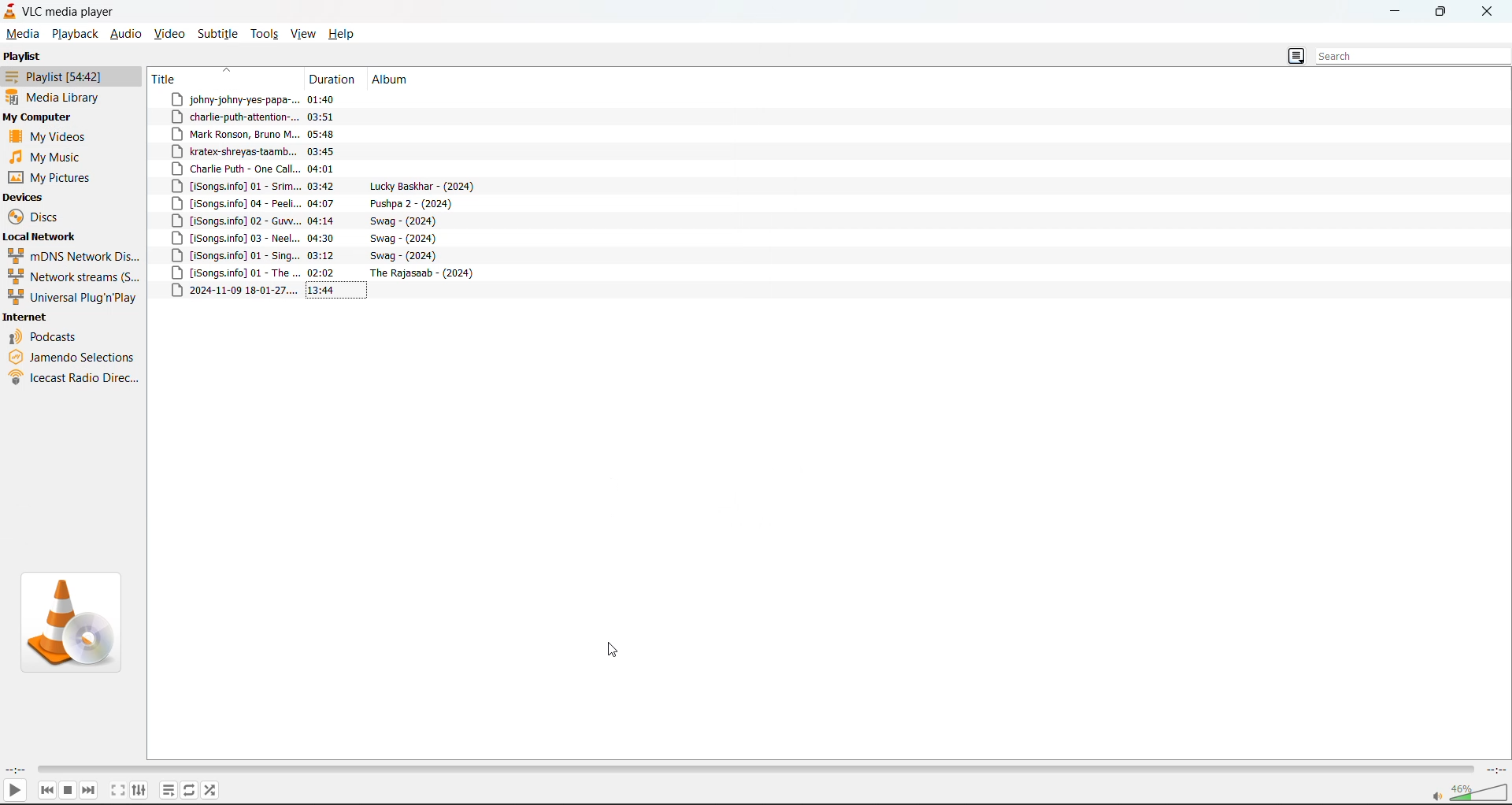  I want to click on track and app name, so click(61, 10).